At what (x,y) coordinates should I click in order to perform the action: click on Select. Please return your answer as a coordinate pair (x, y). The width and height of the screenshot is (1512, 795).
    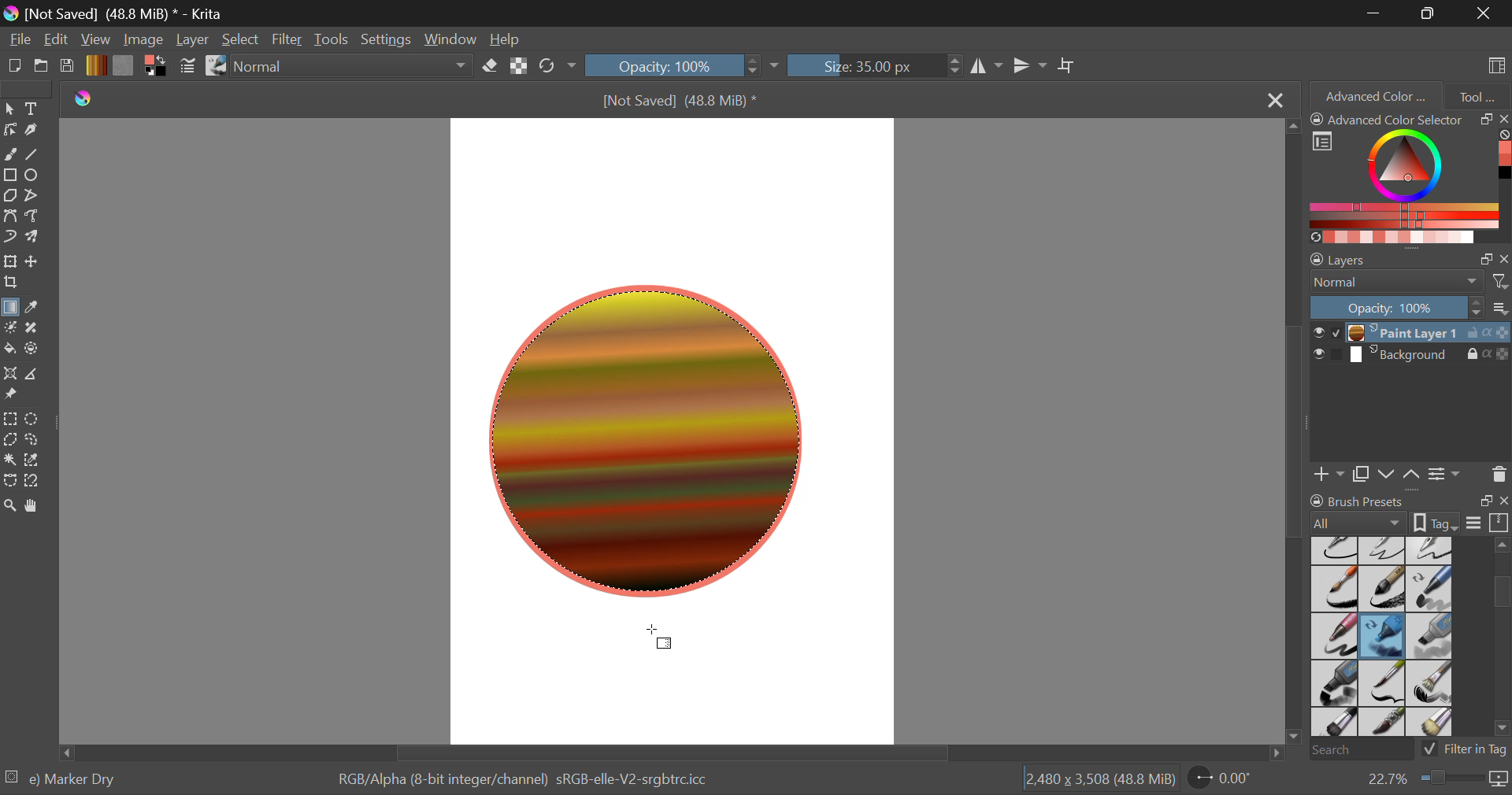
    Looking at the image, I should click on (242, 41).